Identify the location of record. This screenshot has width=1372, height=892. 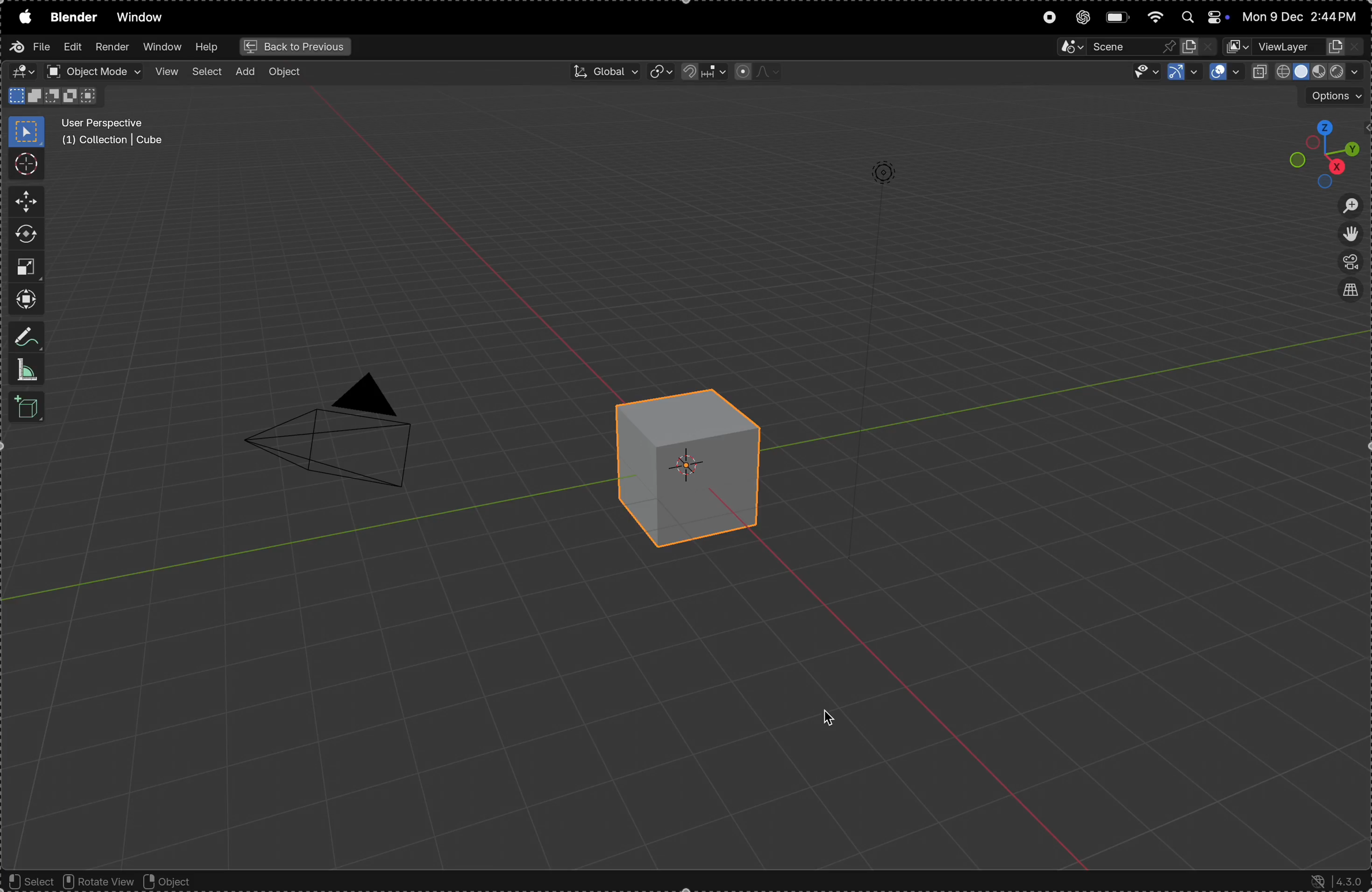
(1047, 20).